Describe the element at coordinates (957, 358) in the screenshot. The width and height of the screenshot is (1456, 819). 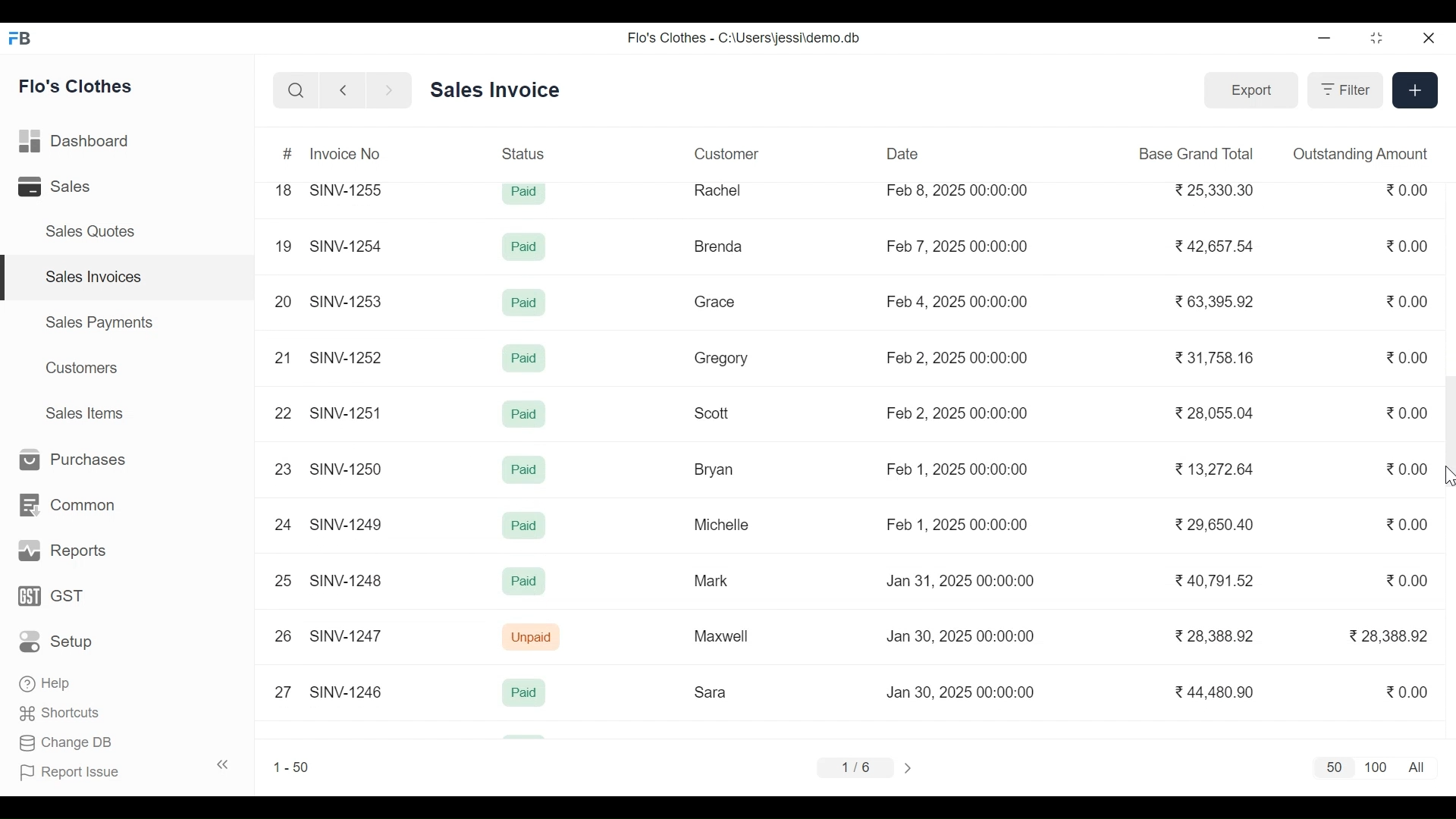
I see `Feb 2, 2025 00:00:00` at that location.